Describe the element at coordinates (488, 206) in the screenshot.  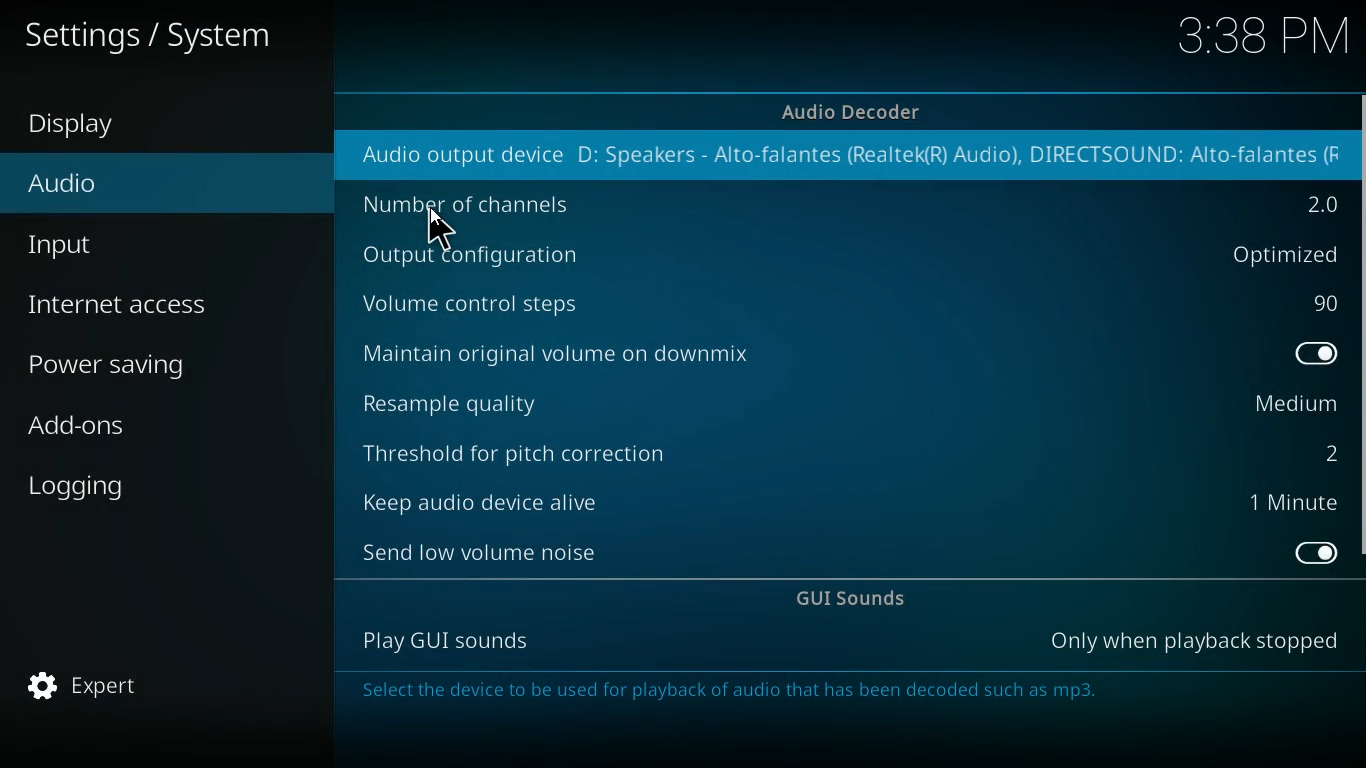
I see `number of channels` at that location.